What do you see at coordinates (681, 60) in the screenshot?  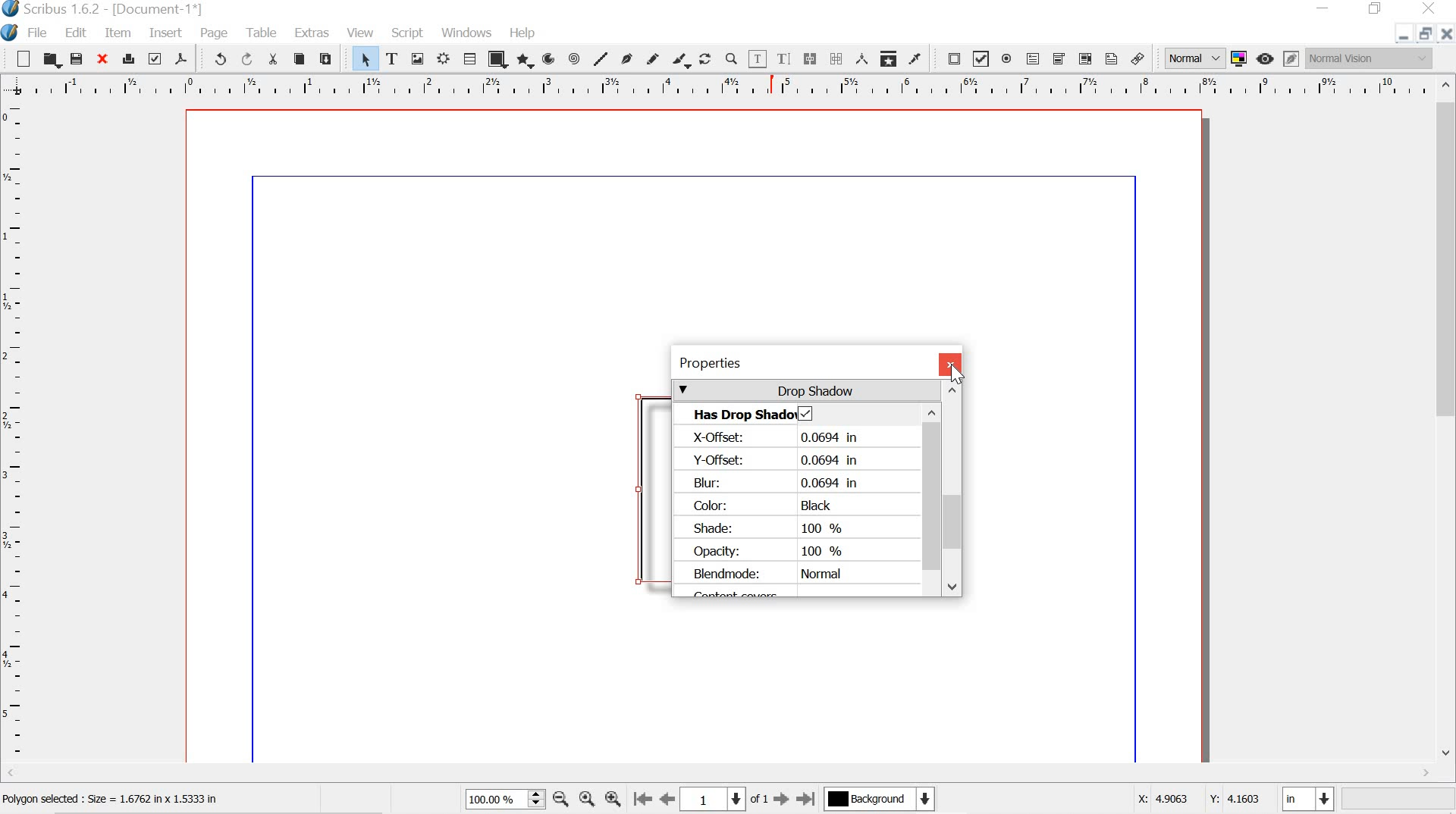 I see `calligraphic line` at bounding box center [681, 60].